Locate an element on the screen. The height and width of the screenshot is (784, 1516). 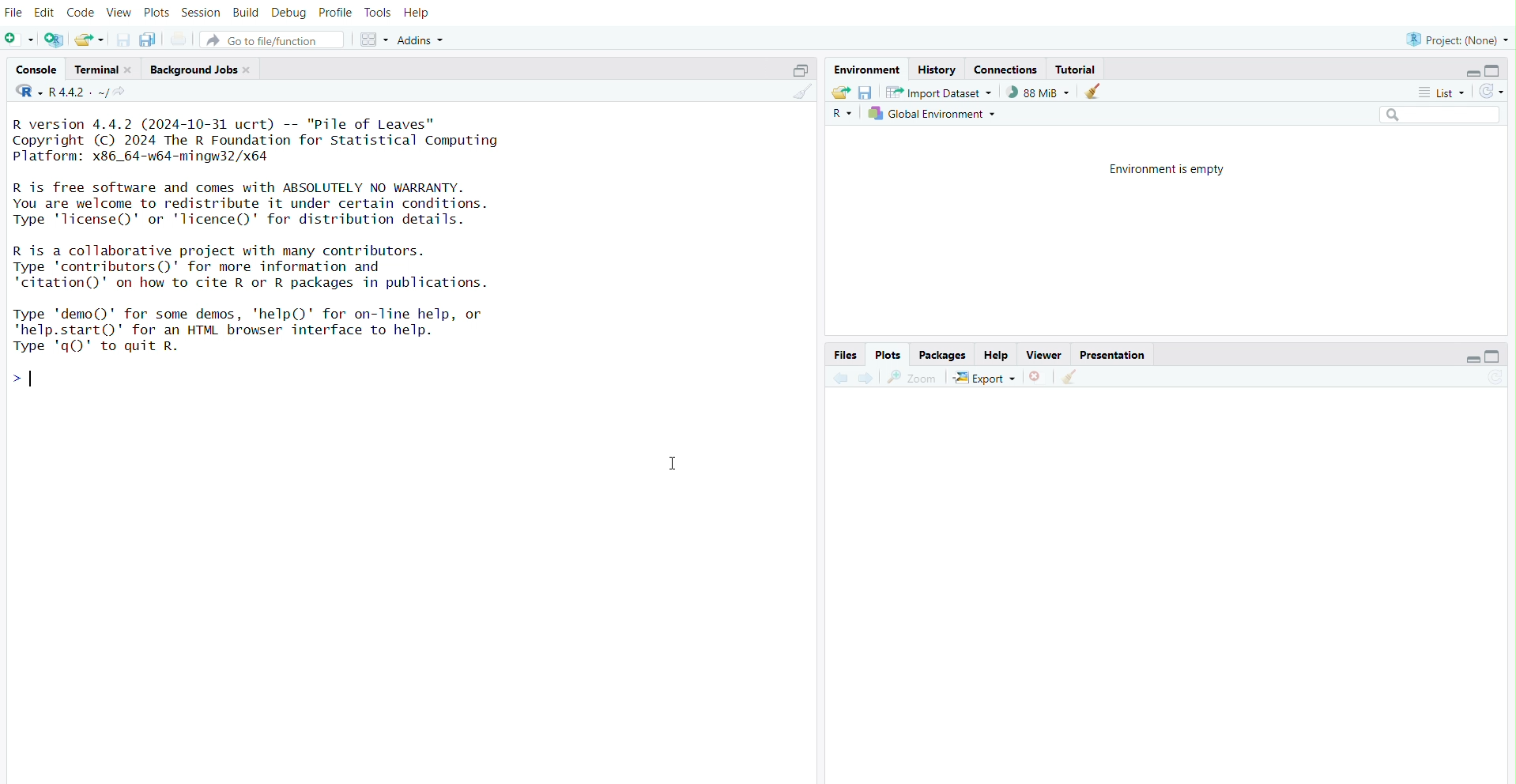
R 4.4.2 . ~/ is located at coordinates (81, 92).